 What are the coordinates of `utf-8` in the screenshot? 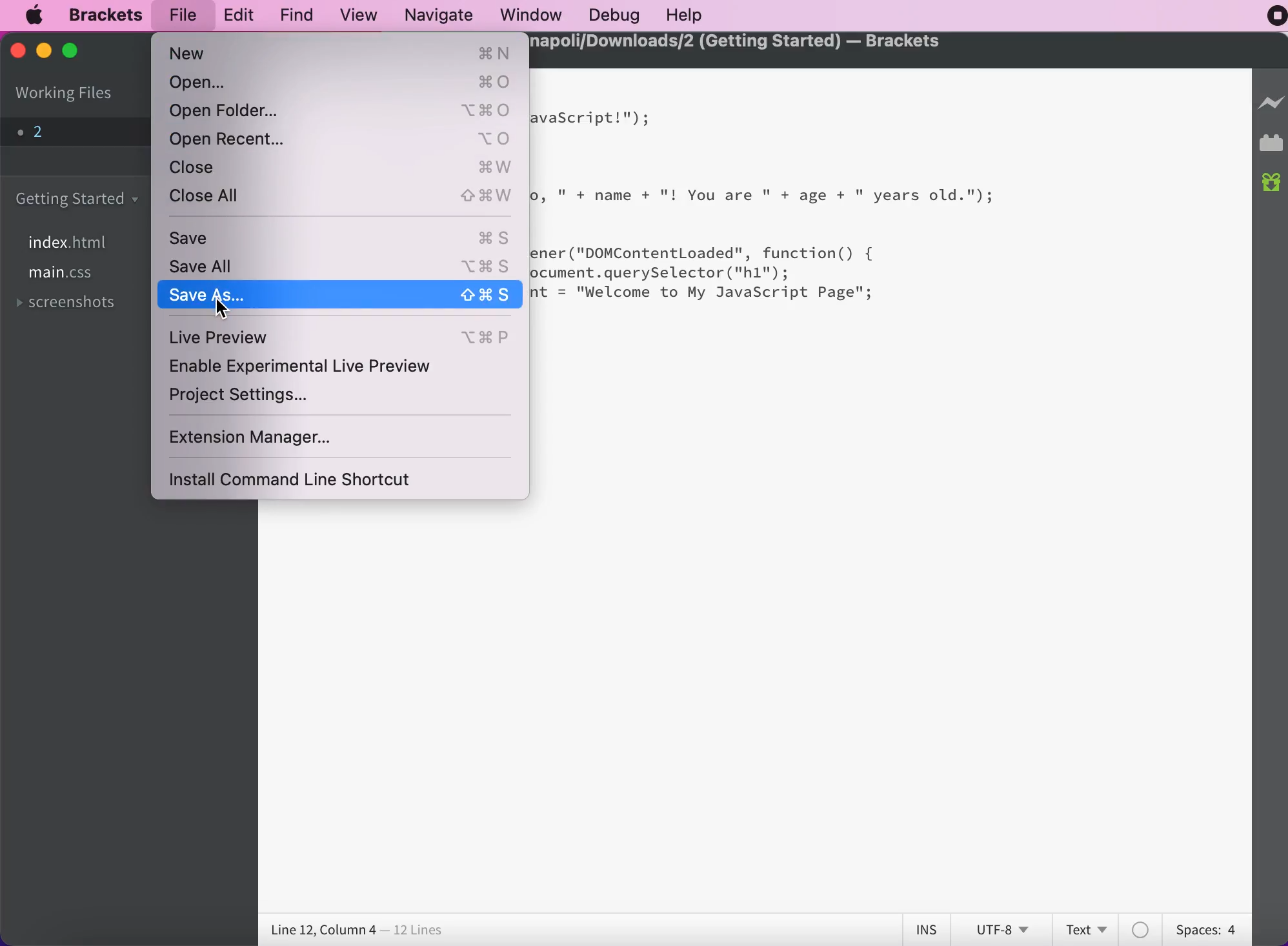 It's located at (1001, 929).